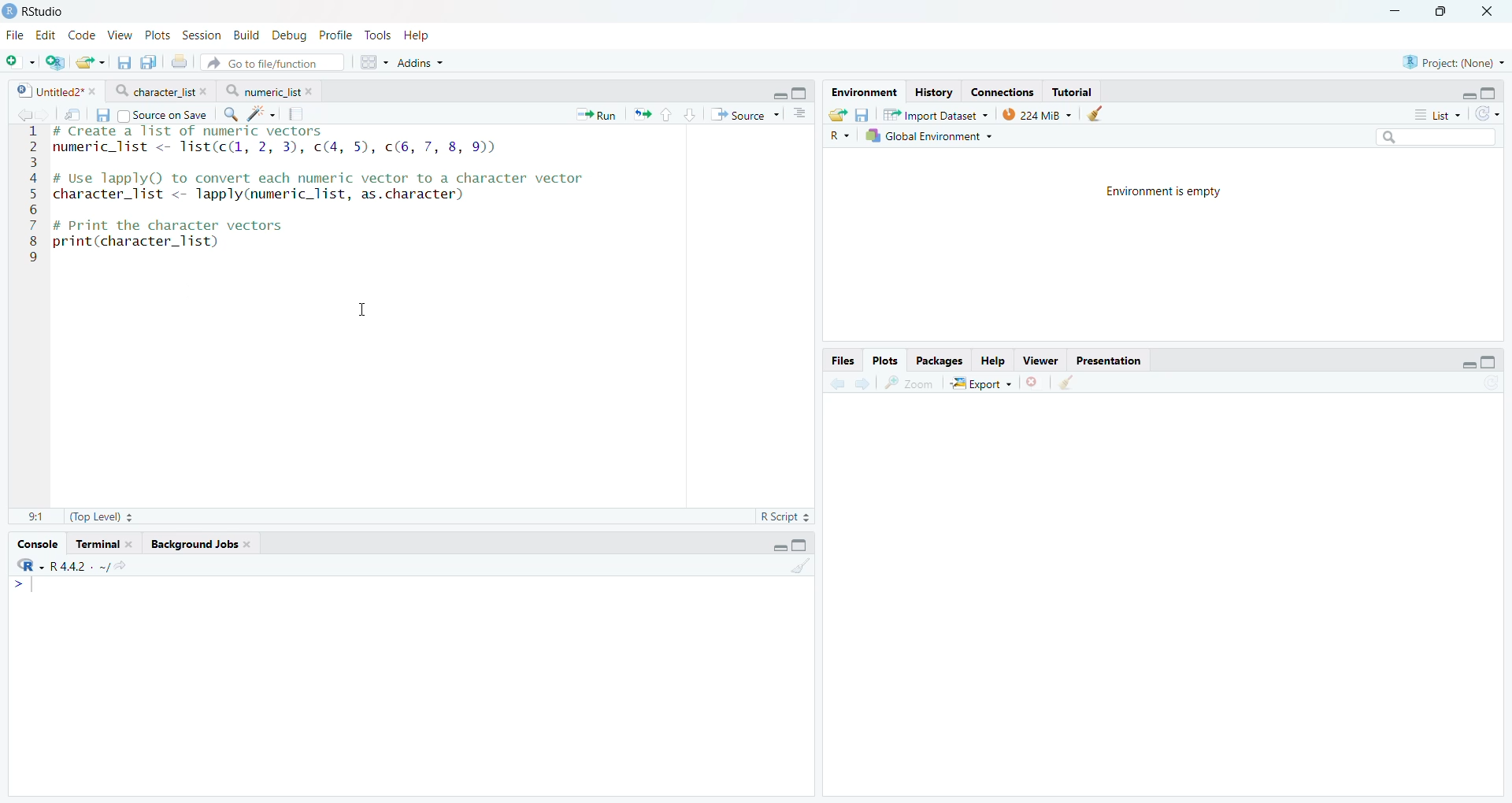 Image resolution: width=1512 pixels, height=803 pixels. What do you see at coordinates (84, 35) in the screenshot?
I see `Code` at bounding box center [84, 35].